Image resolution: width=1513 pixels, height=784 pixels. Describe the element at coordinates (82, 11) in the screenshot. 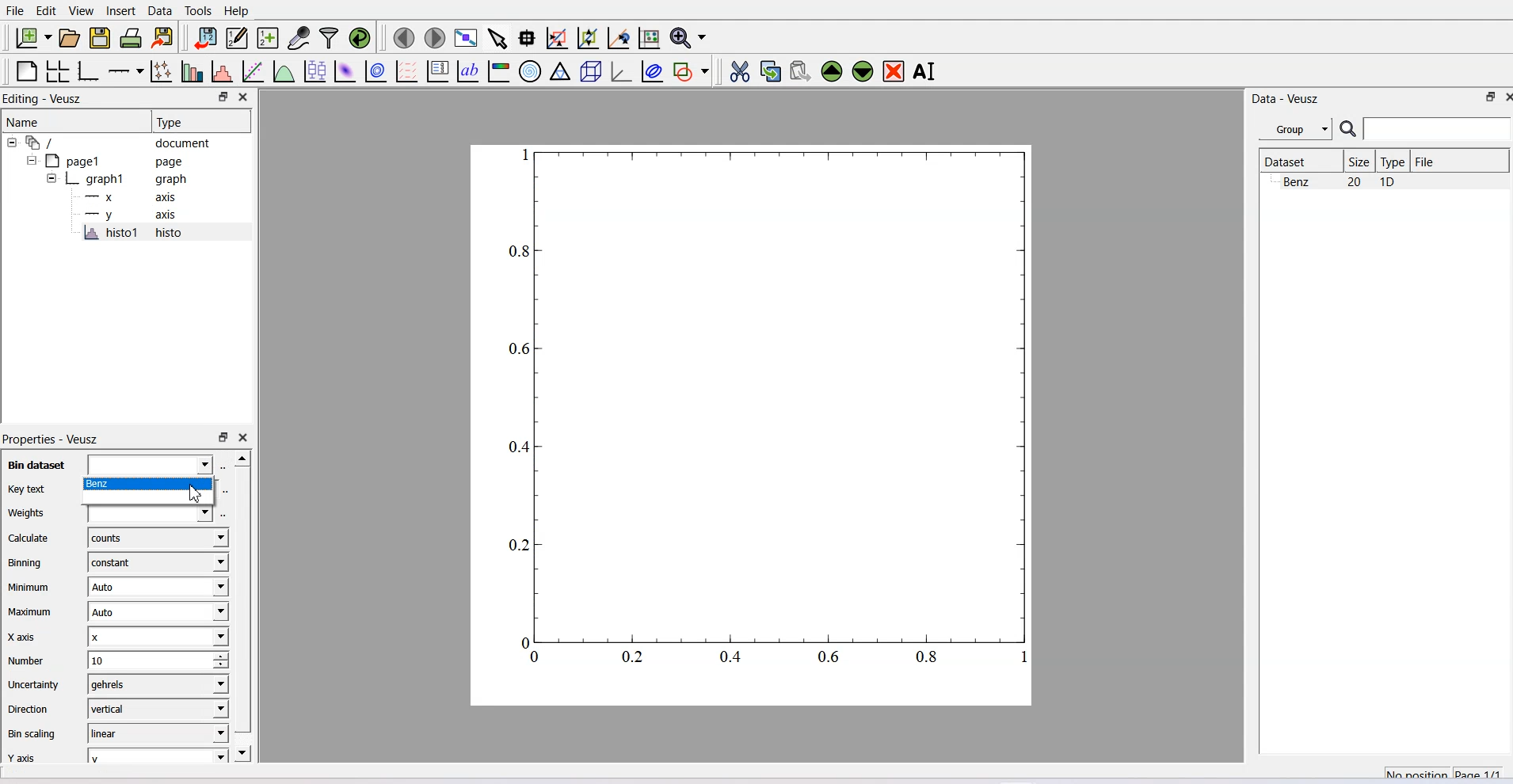

I see `View` at that location.